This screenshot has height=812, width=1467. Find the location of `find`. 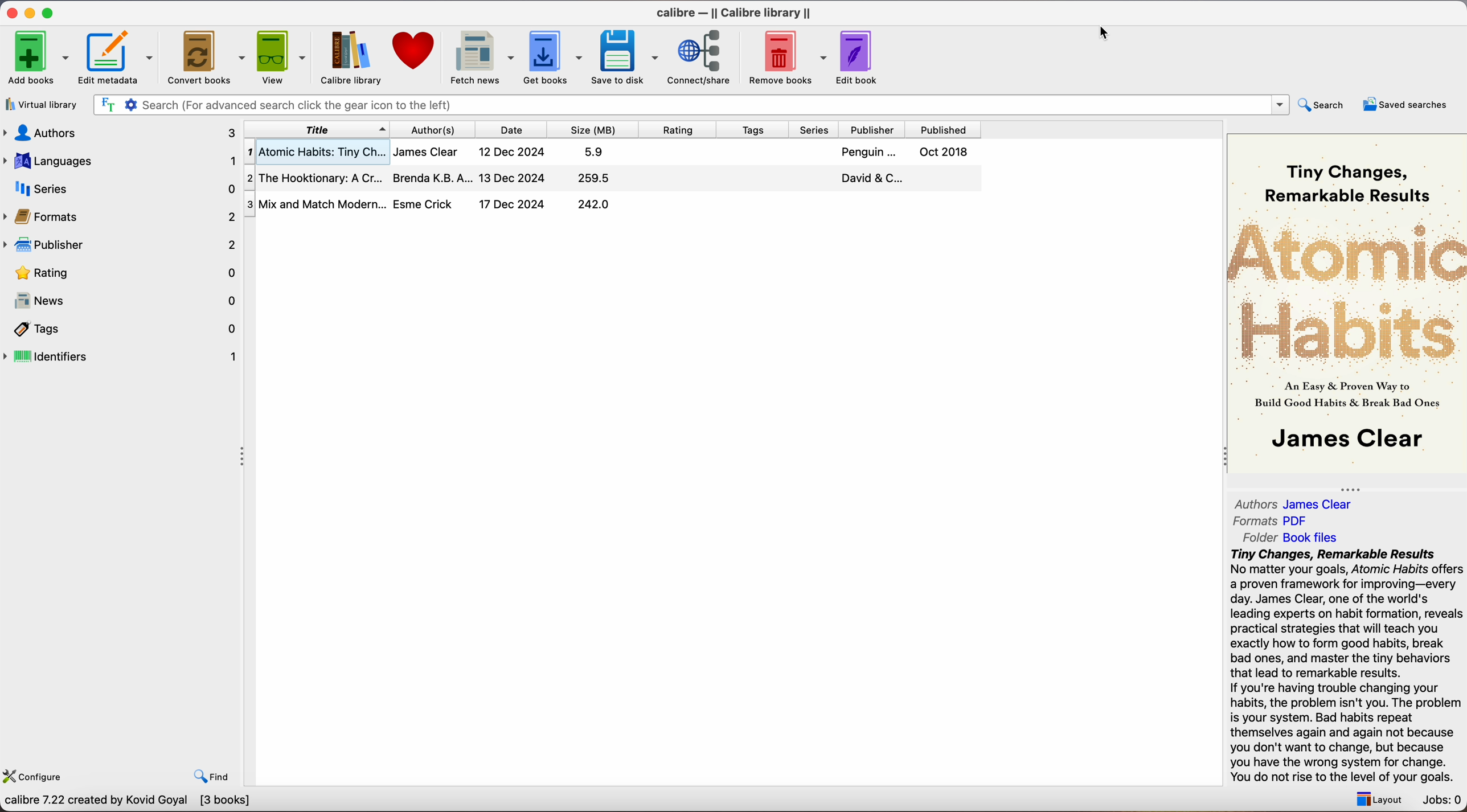

find is located at coordinates (212, 776).